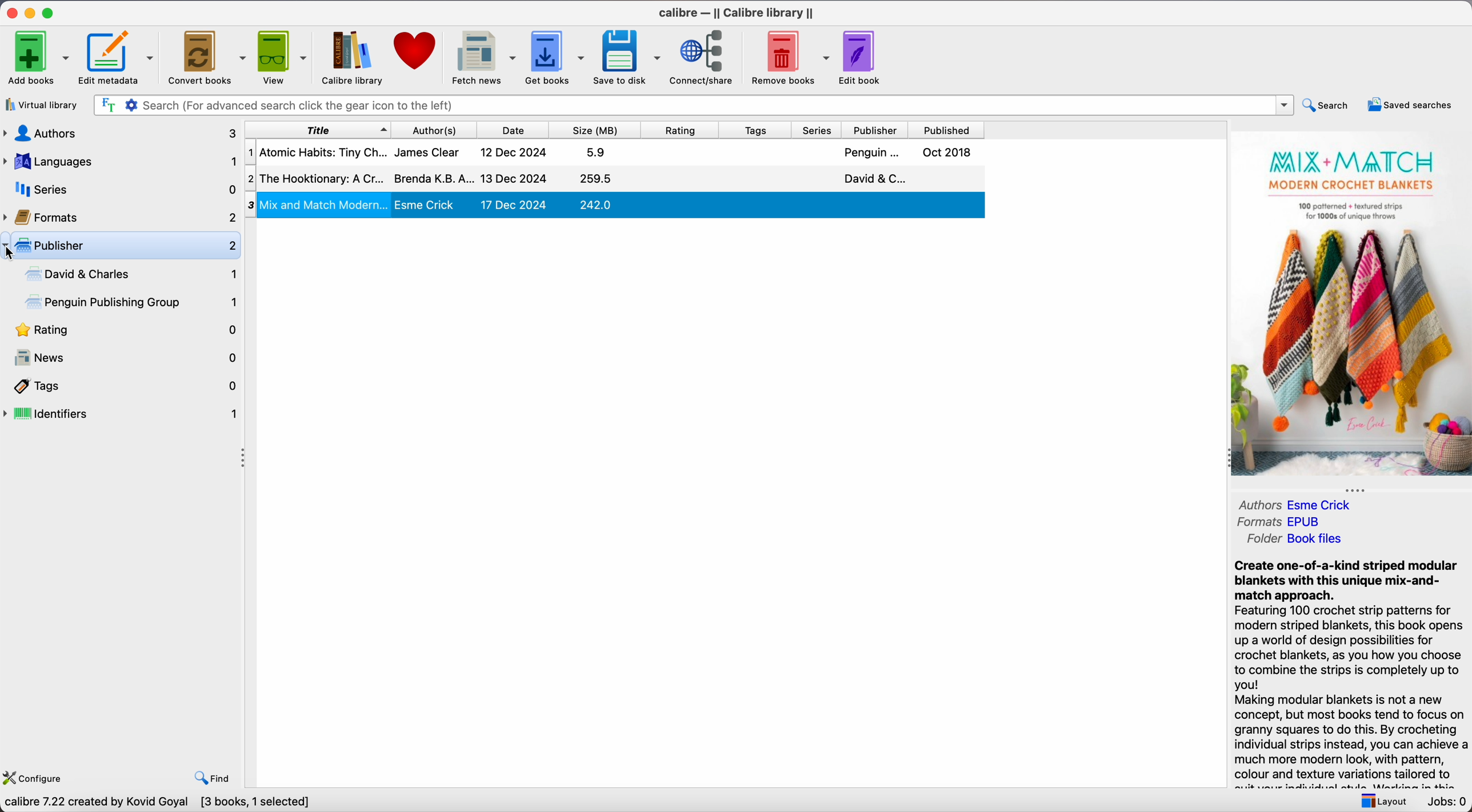 This screenshot has height=812, width=1472. What do you see at coordinates (283, 57) in the screenshot?
I see `view` at bounding box center [283, 57].